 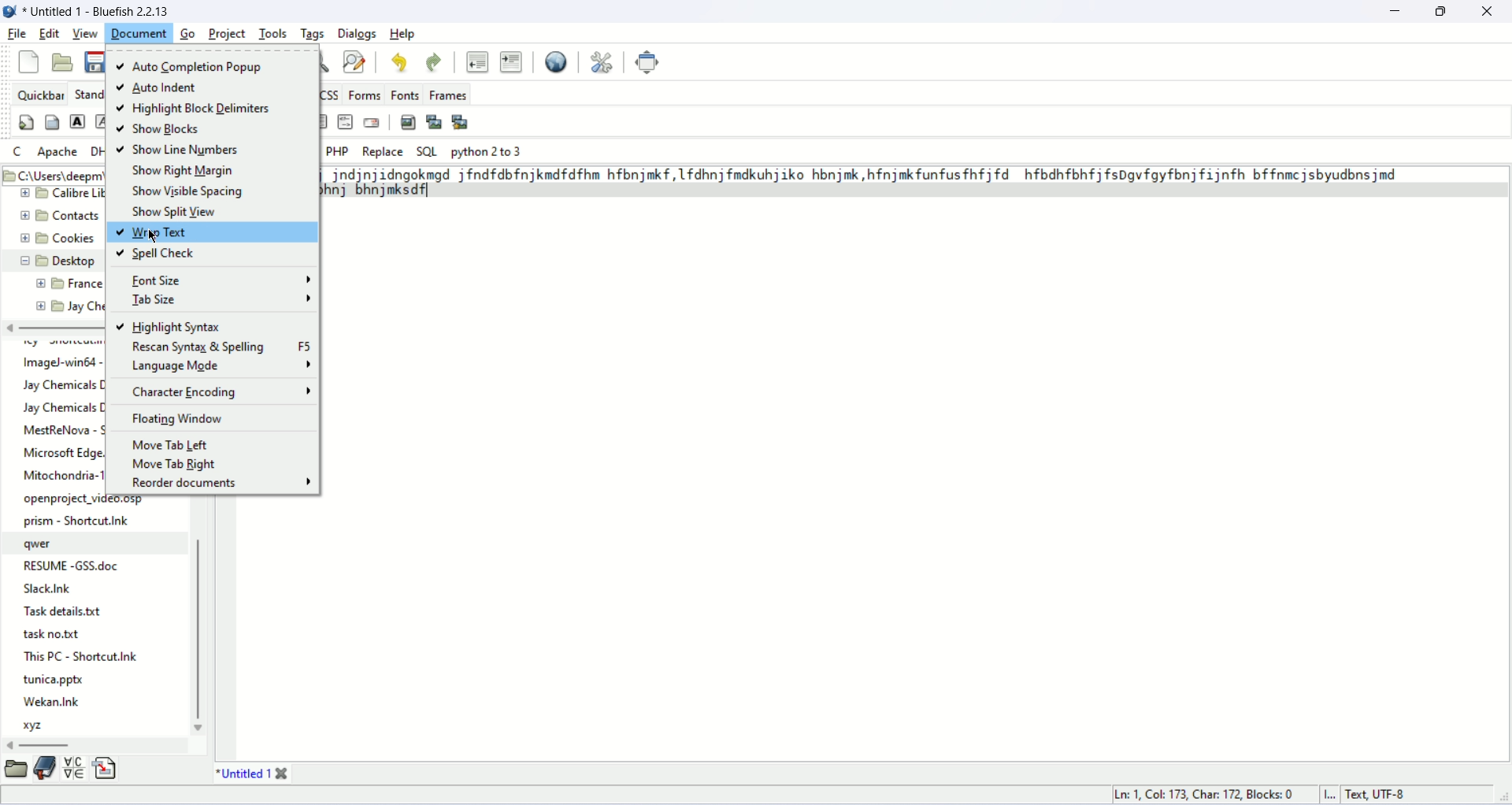 I want to click on edit preferences, so click(x=606, y=62).